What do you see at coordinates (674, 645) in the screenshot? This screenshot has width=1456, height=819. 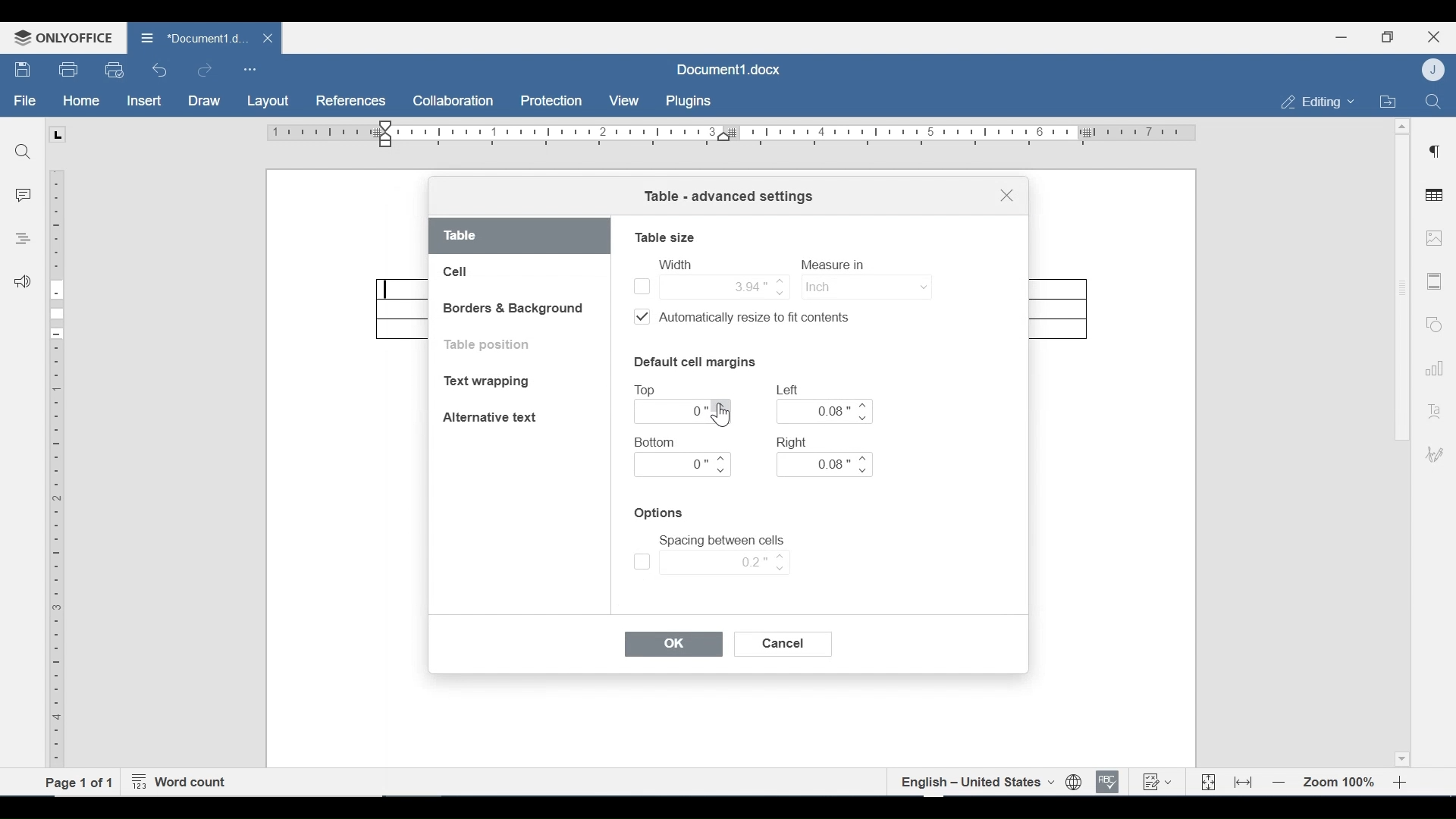 I see `OK` at bounding box center [674, 645].